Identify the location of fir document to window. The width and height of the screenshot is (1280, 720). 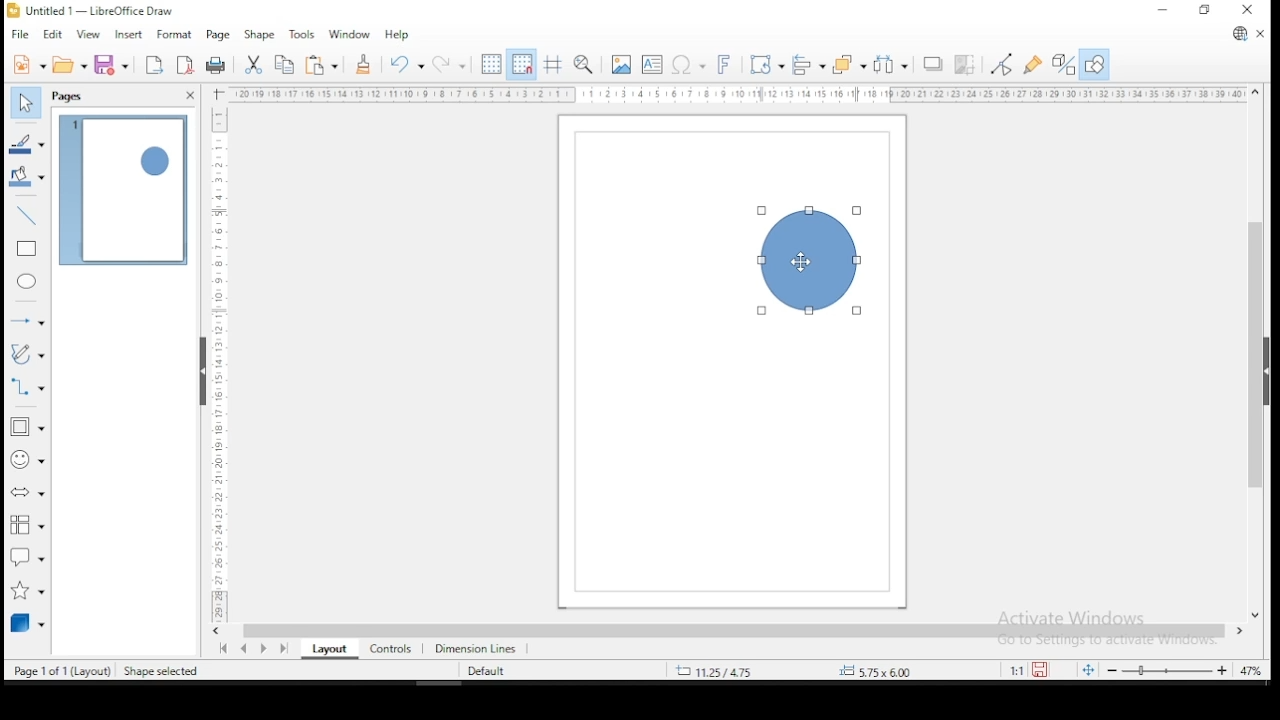
(1085, 669).